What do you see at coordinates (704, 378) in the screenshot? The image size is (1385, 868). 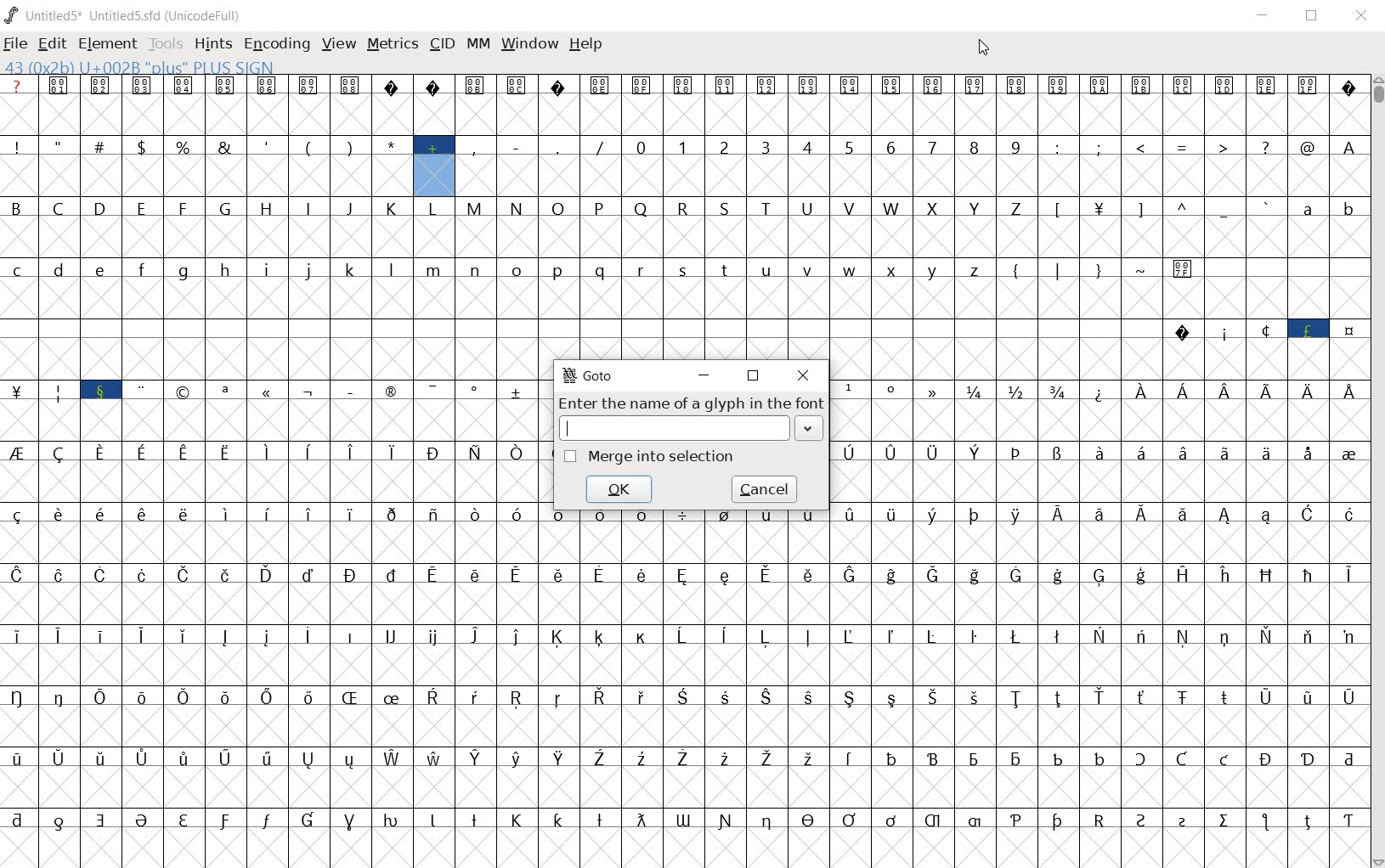 I see `minimize` at bounding box center [704, 378].